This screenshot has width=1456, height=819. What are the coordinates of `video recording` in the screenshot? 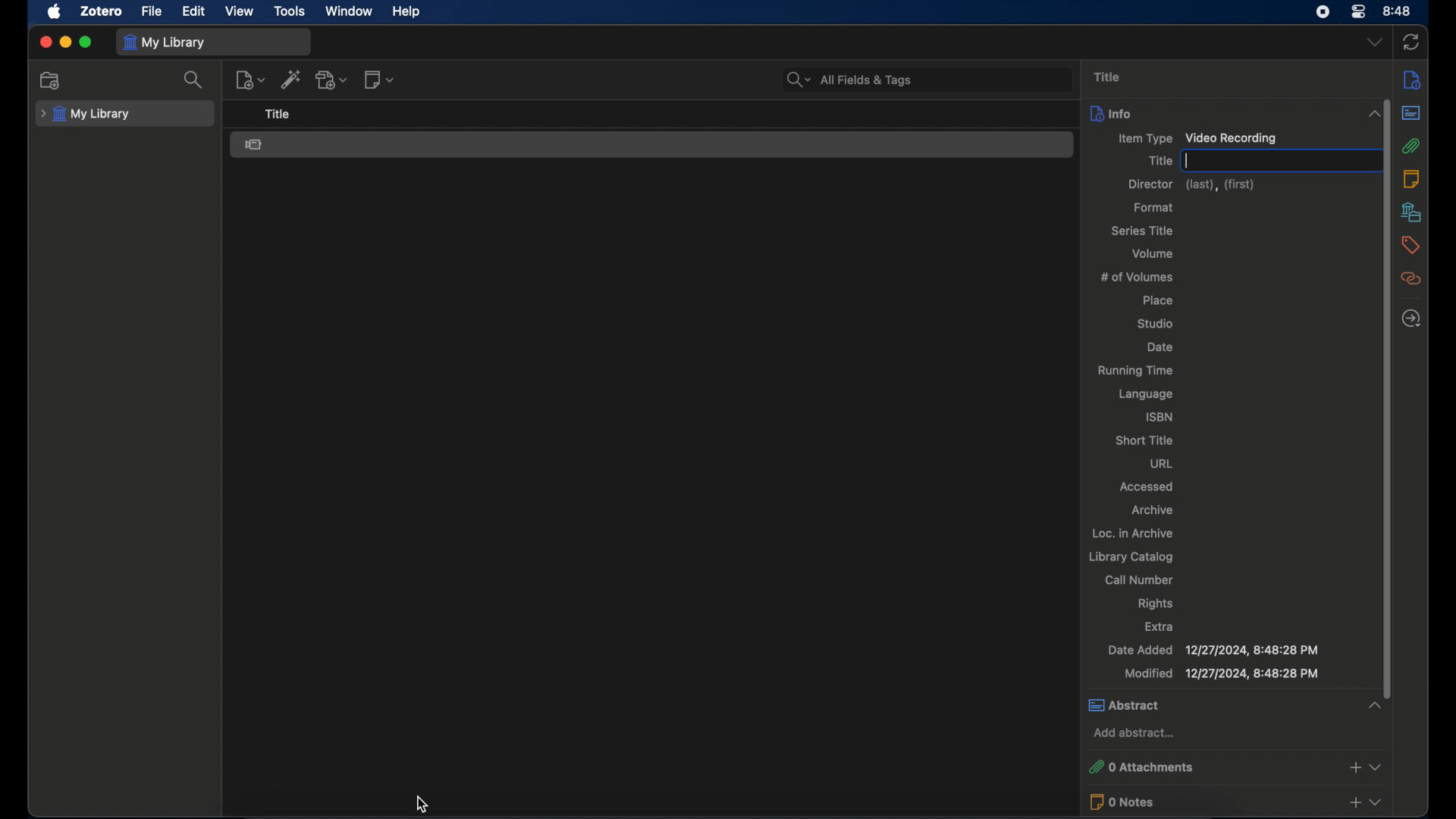 It's located at (254, 145).